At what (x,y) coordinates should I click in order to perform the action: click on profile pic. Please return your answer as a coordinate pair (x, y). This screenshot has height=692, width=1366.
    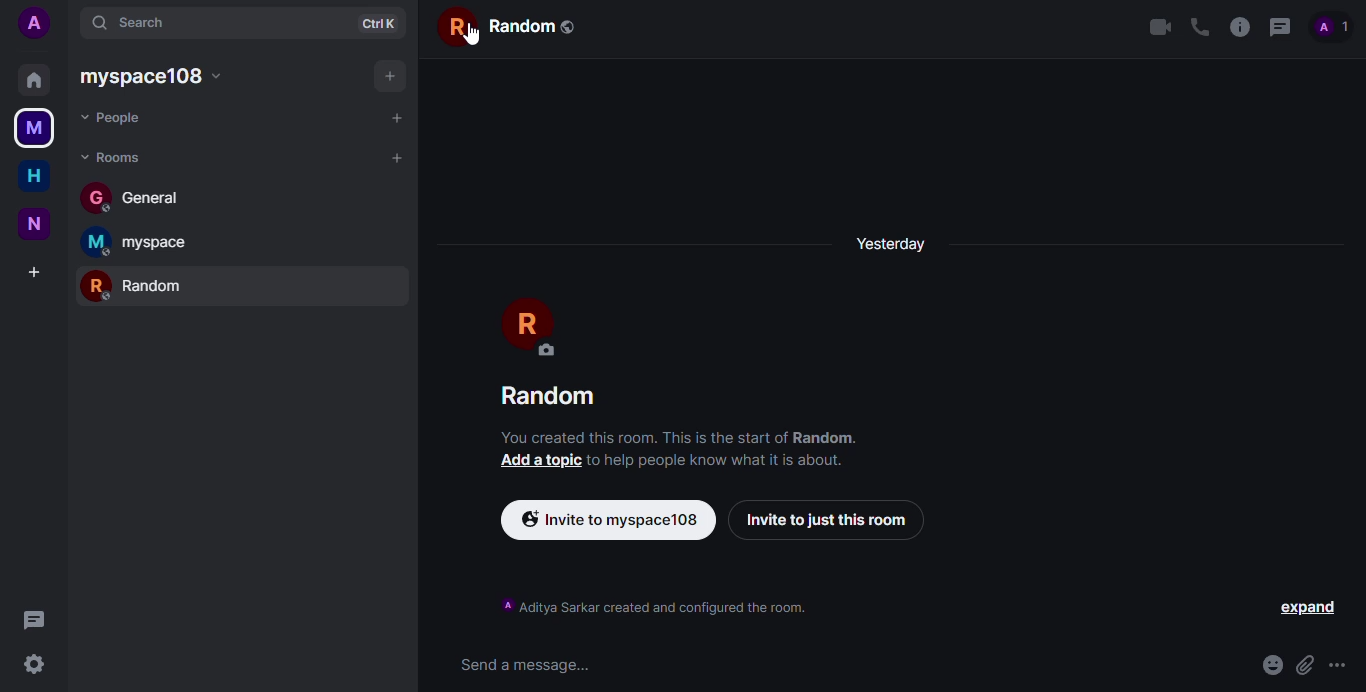
    Looking at the image, I should click on (535, 327).